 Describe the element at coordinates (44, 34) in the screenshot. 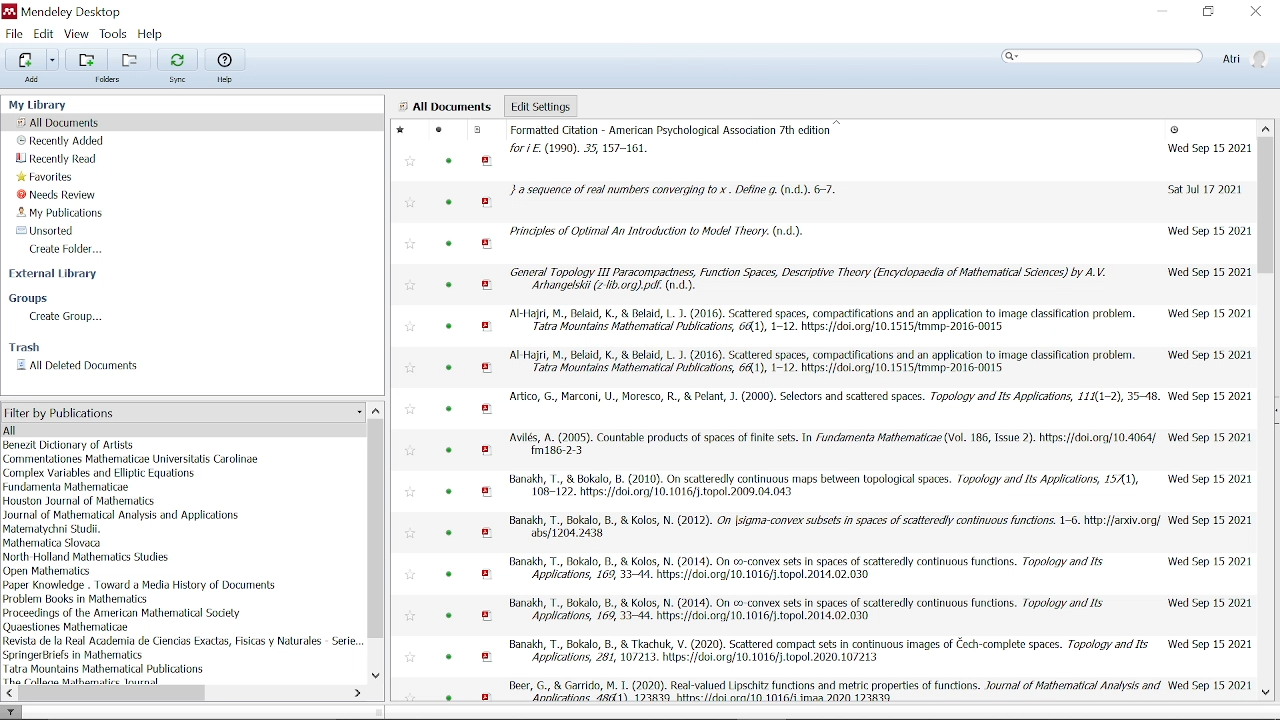

I see `Edit` at that location.